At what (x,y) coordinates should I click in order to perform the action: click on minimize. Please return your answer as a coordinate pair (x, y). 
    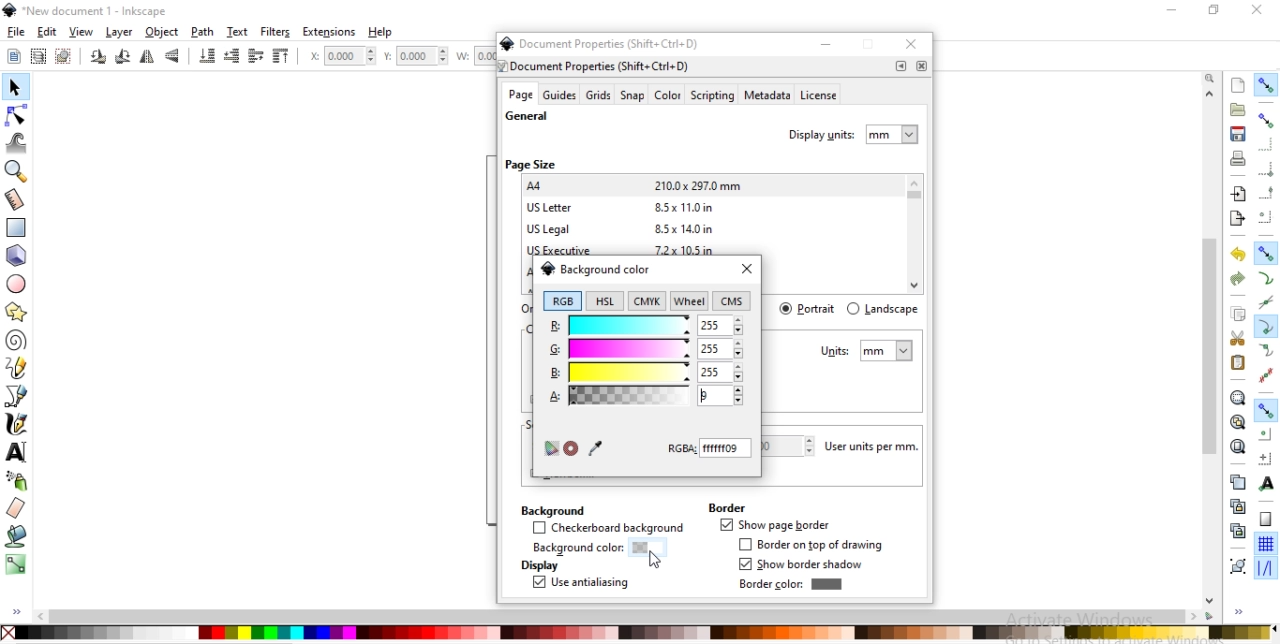
    Looking at the image, I should click on (826, 44).